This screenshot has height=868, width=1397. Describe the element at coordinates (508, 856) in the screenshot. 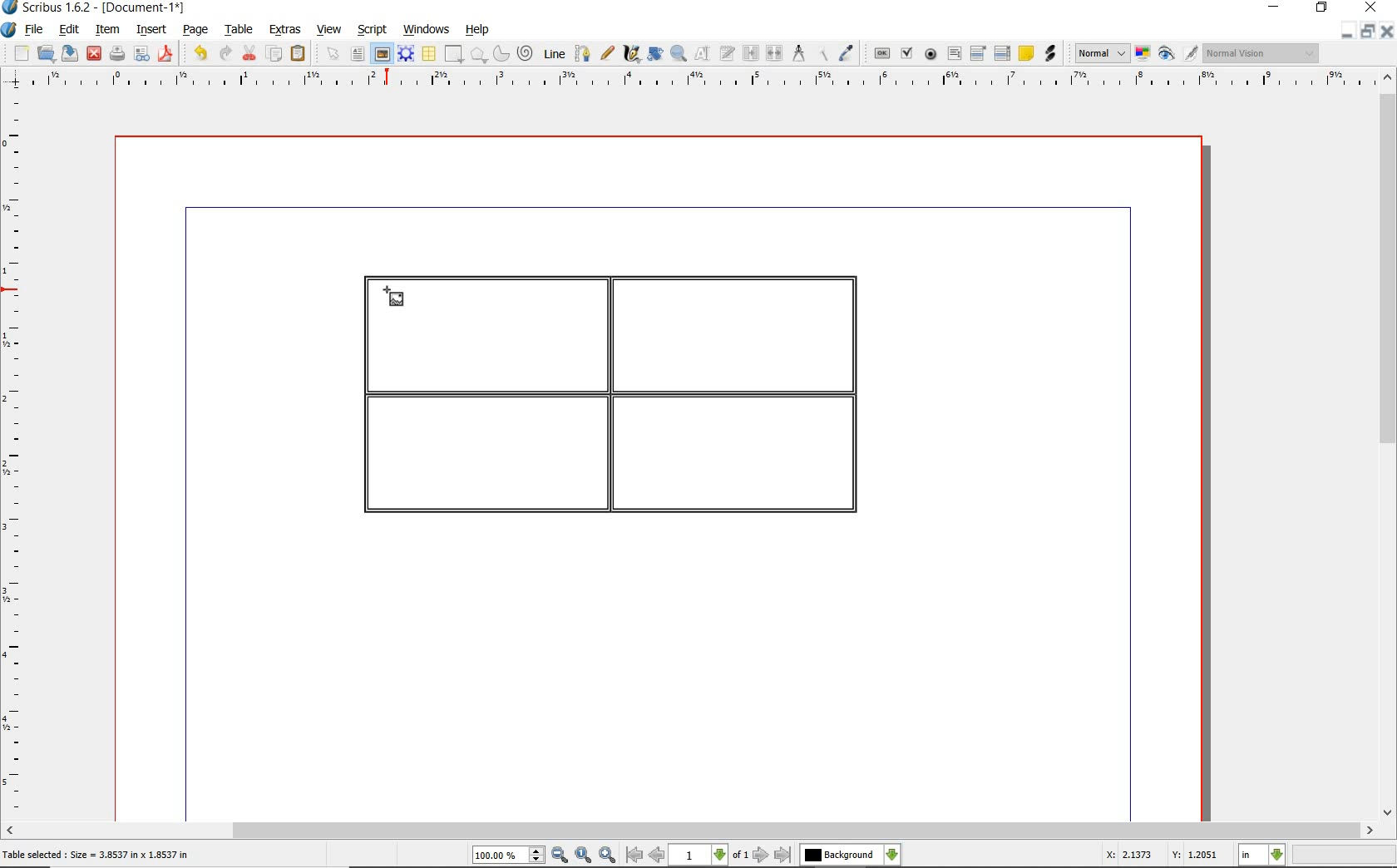

I see `select current zoom level` at that location.